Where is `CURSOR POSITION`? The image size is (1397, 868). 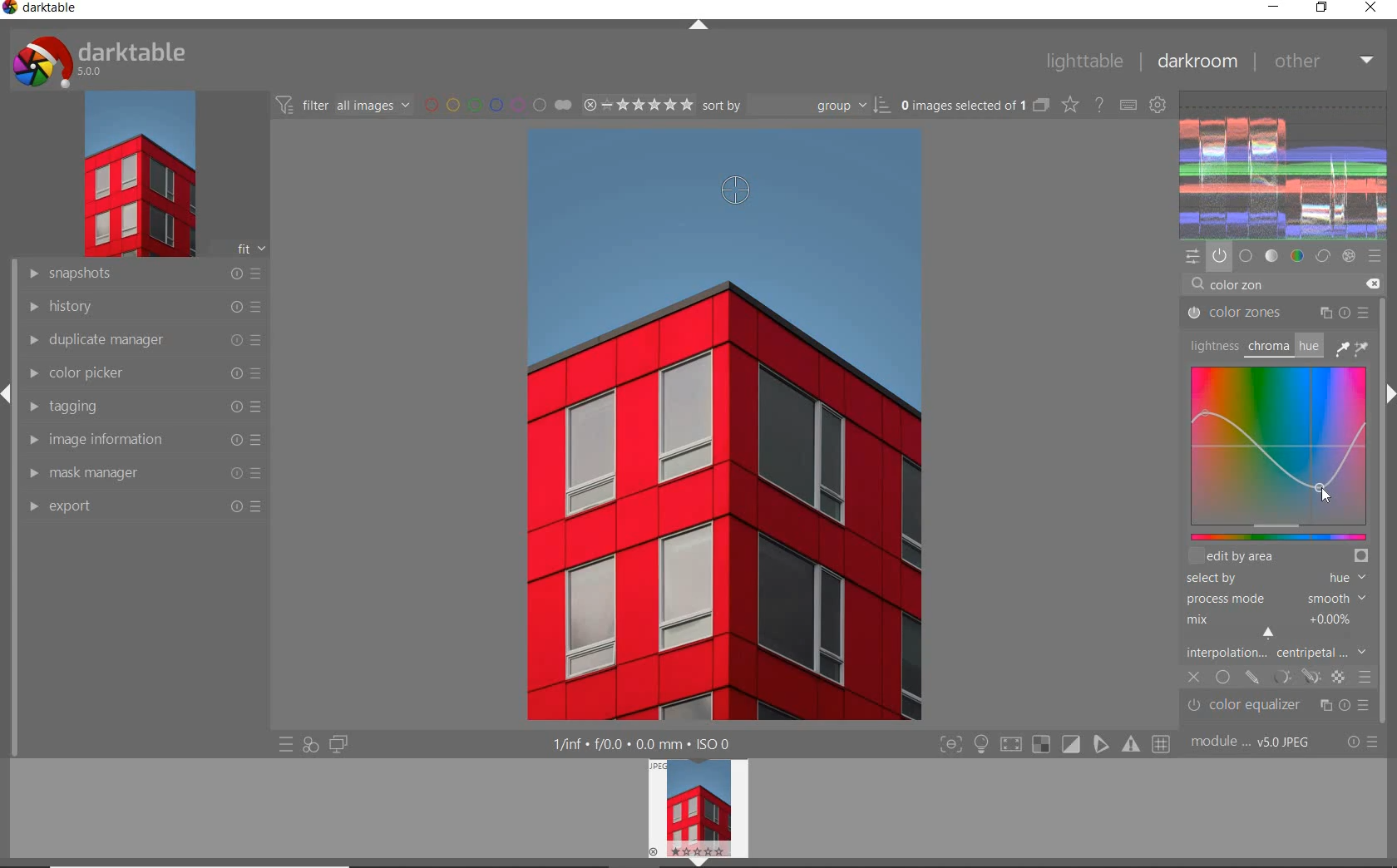 CURSOR POSITION is located at coordinates (1323, 492).